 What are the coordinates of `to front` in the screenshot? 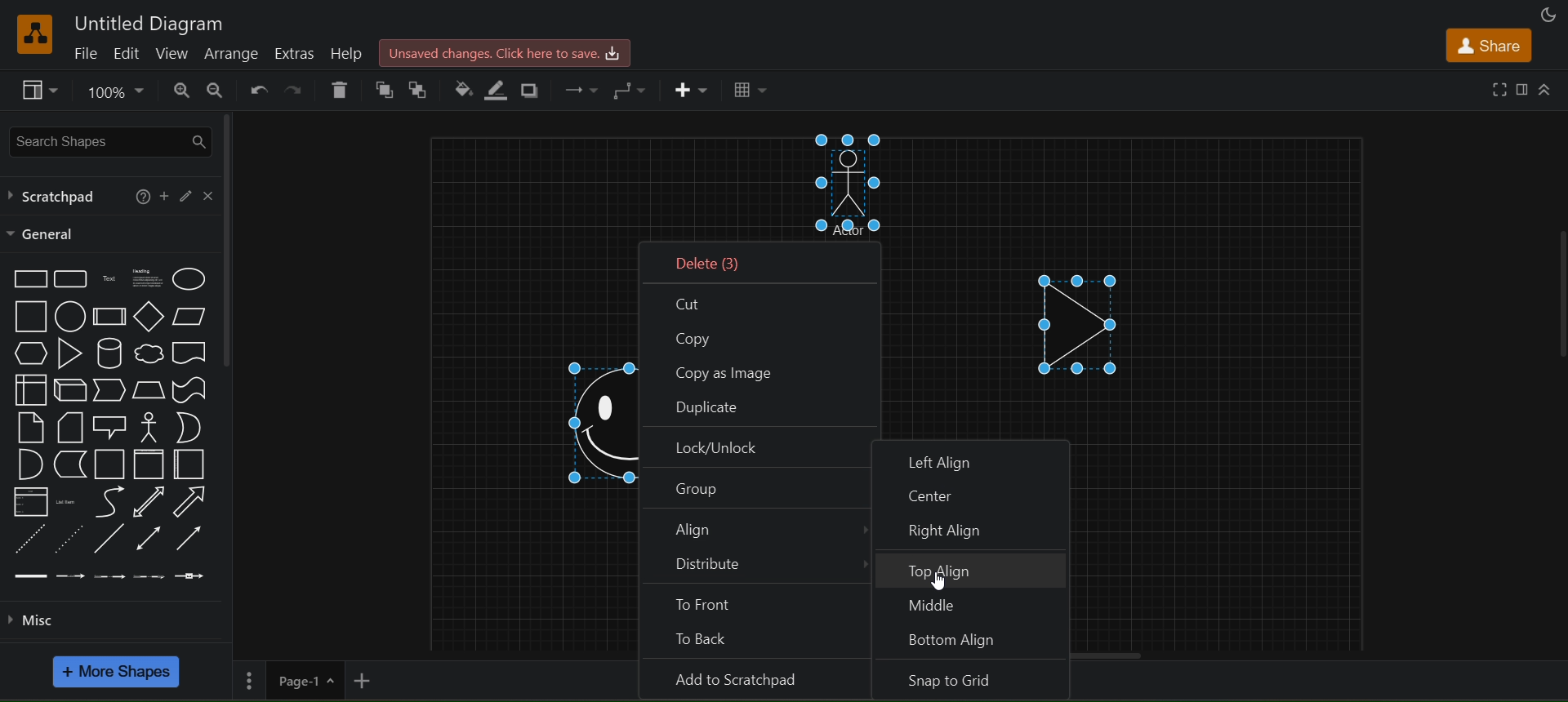 It's located at (759, 603).